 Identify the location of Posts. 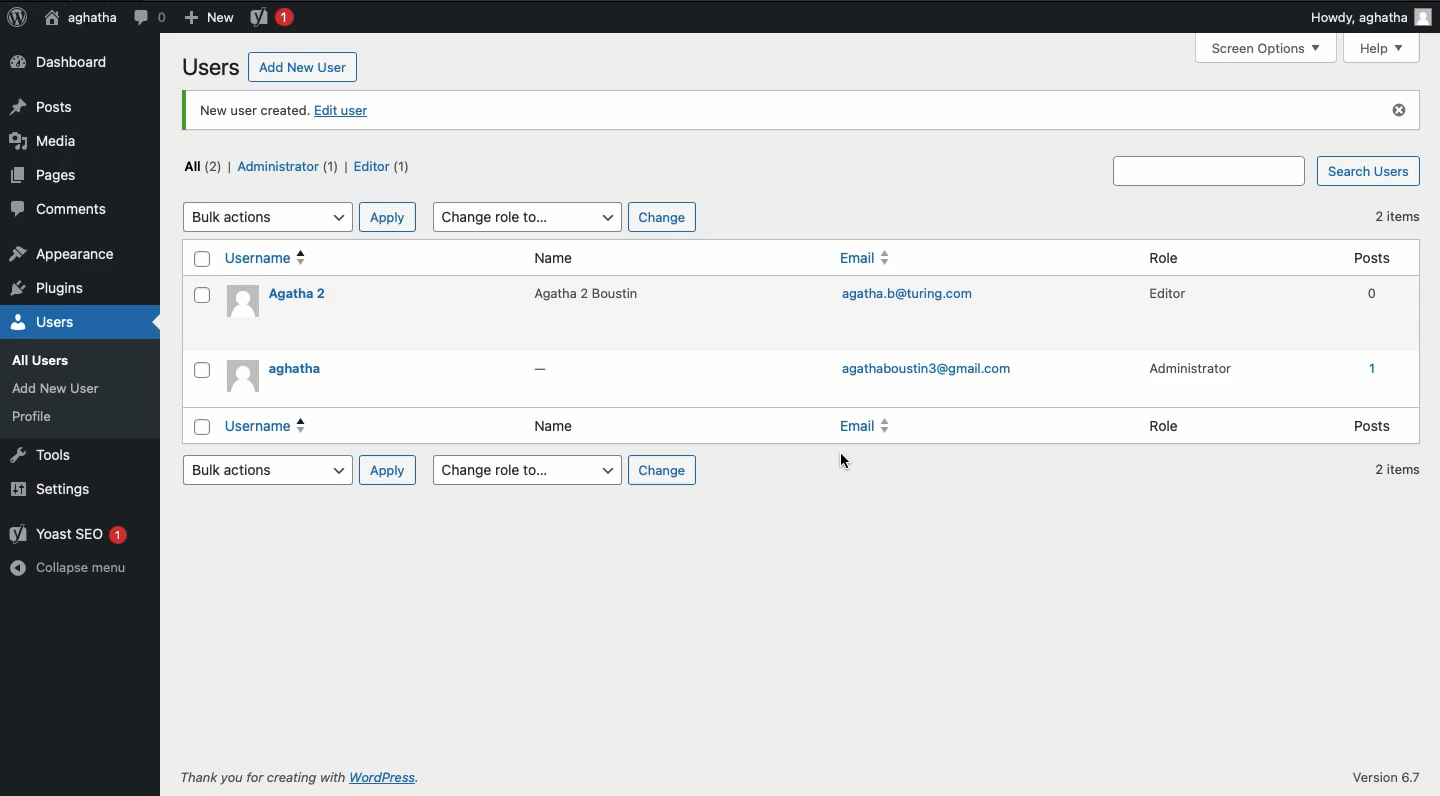
(47, 105).